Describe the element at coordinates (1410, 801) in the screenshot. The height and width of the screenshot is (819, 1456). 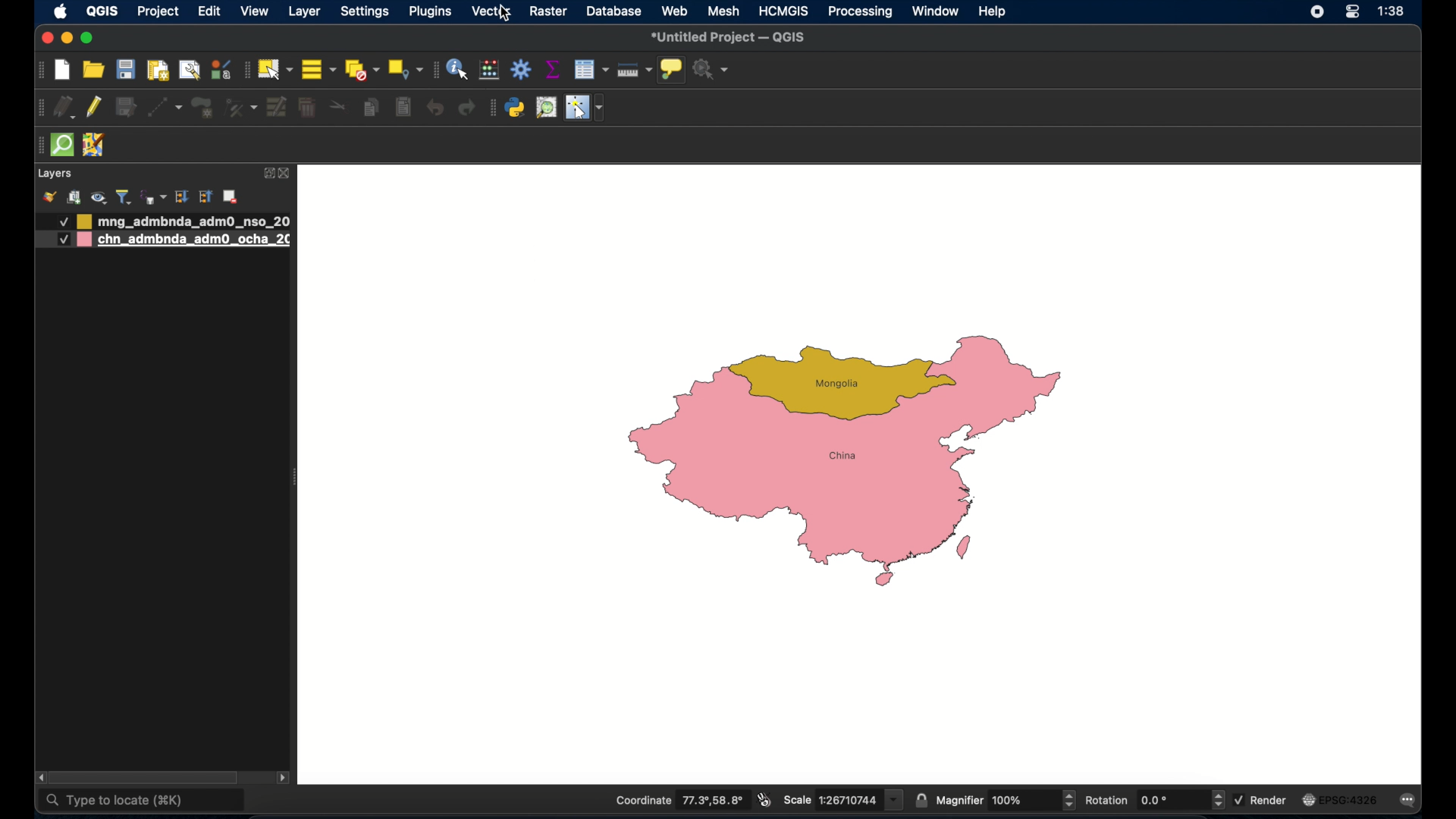
I see `messages` at that location.